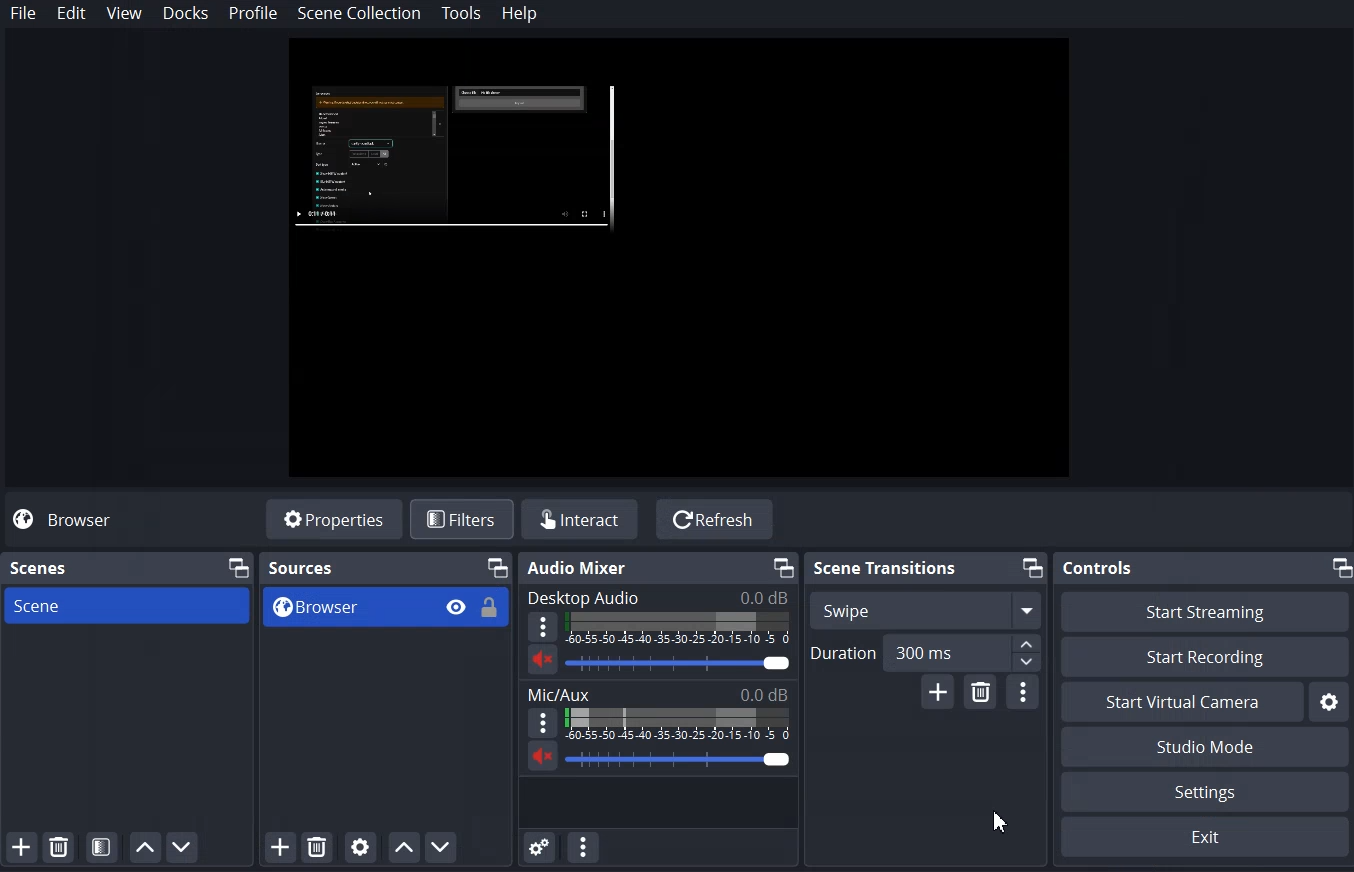 This screenshot has width=1354, height=872. I want to click on More, so click(543, 626).